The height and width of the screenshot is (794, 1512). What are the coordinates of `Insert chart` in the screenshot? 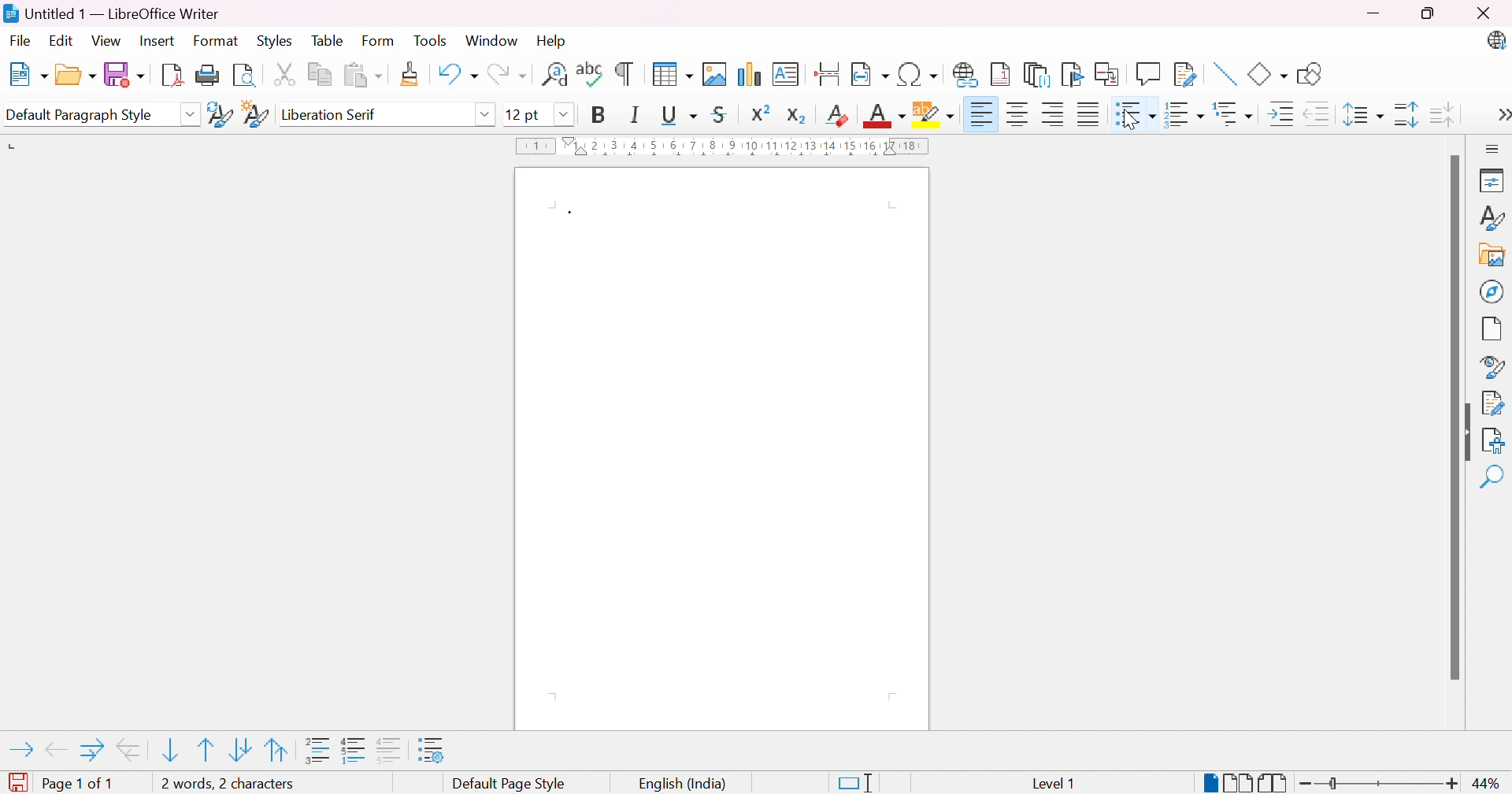 It's located at (750, 74).